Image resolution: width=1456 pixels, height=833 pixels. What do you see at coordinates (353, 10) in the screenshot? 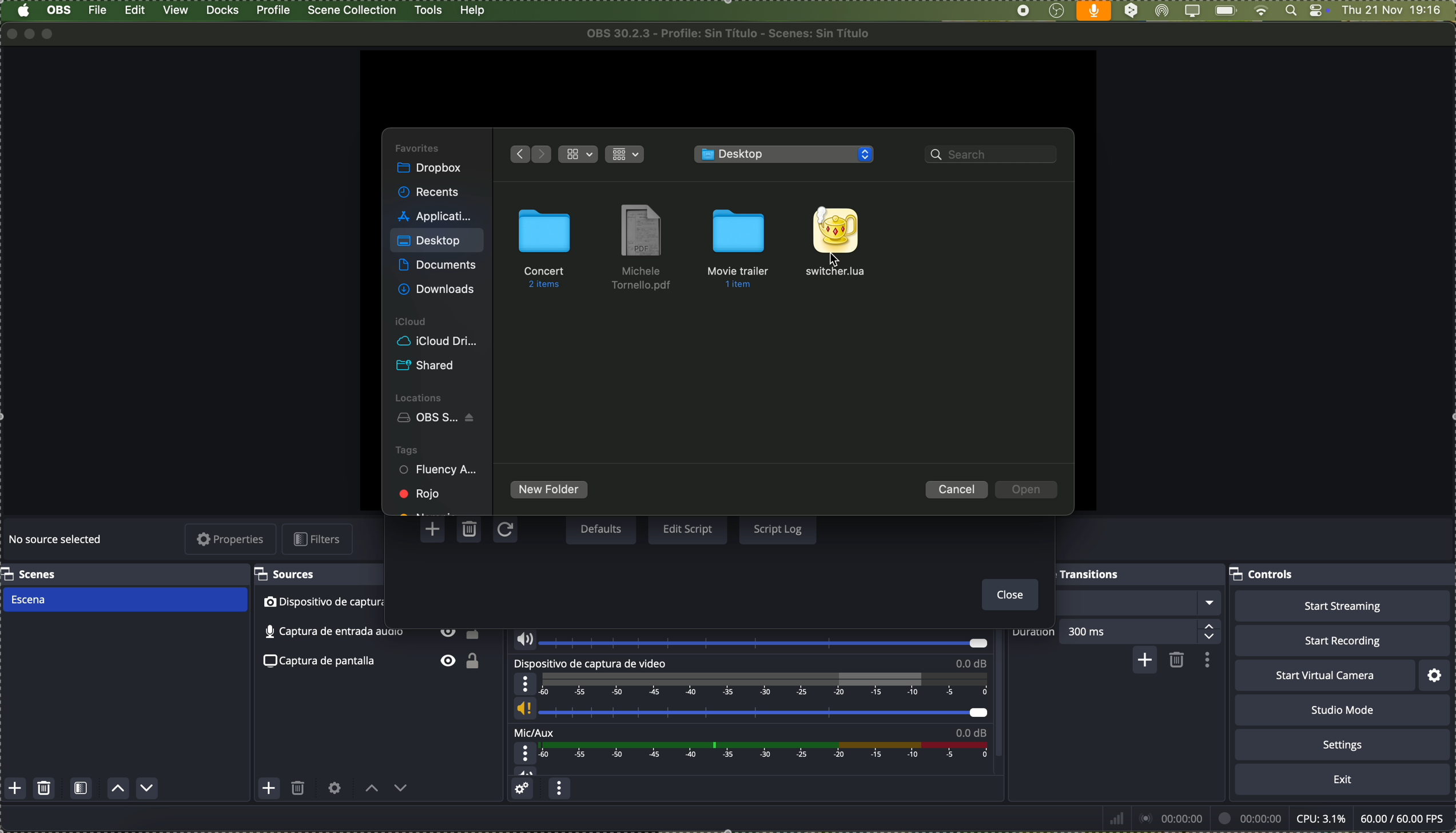
I see `scene collection` at bounding box center [353, 10].